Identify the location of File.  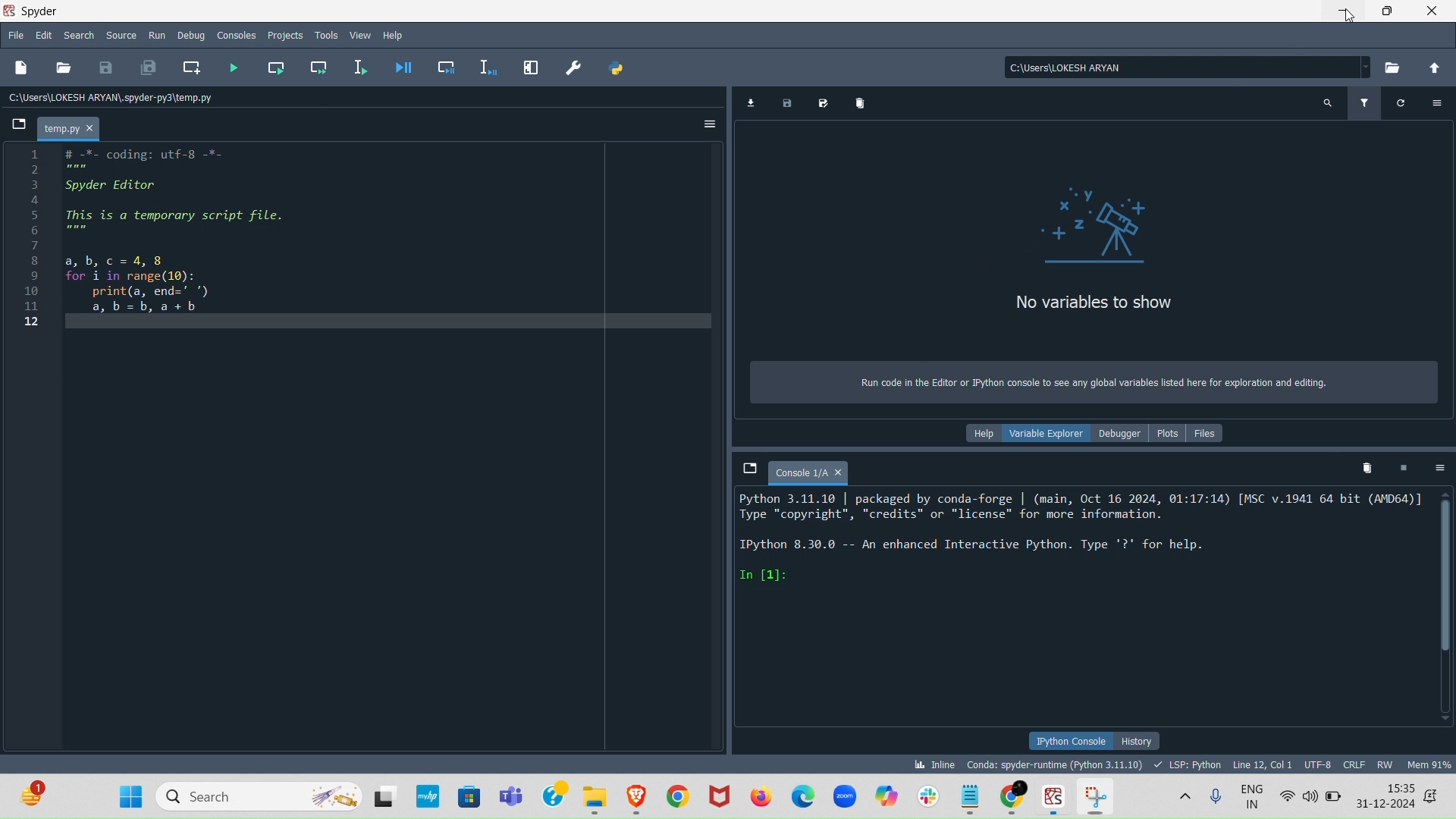
(14, 33).